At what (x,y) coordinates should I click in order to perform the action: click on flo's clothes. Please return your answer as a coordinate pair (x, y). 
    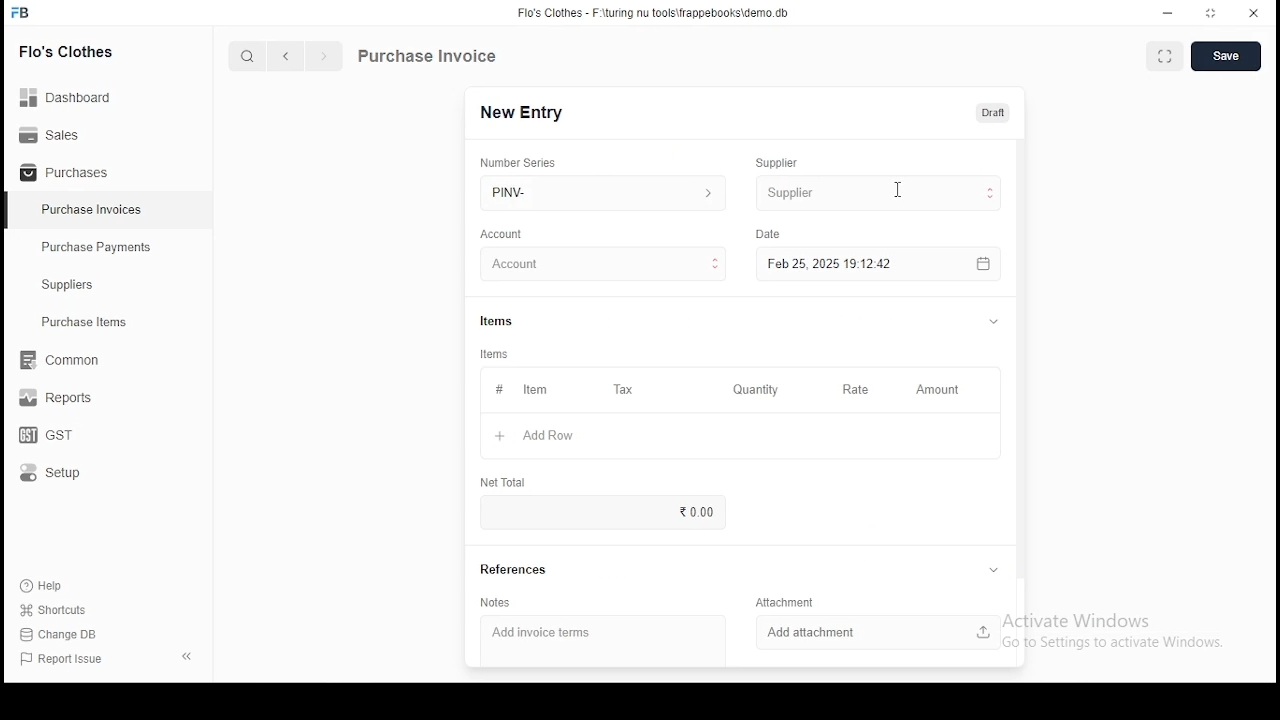
    Looking at the image, I should click on (69, 51).